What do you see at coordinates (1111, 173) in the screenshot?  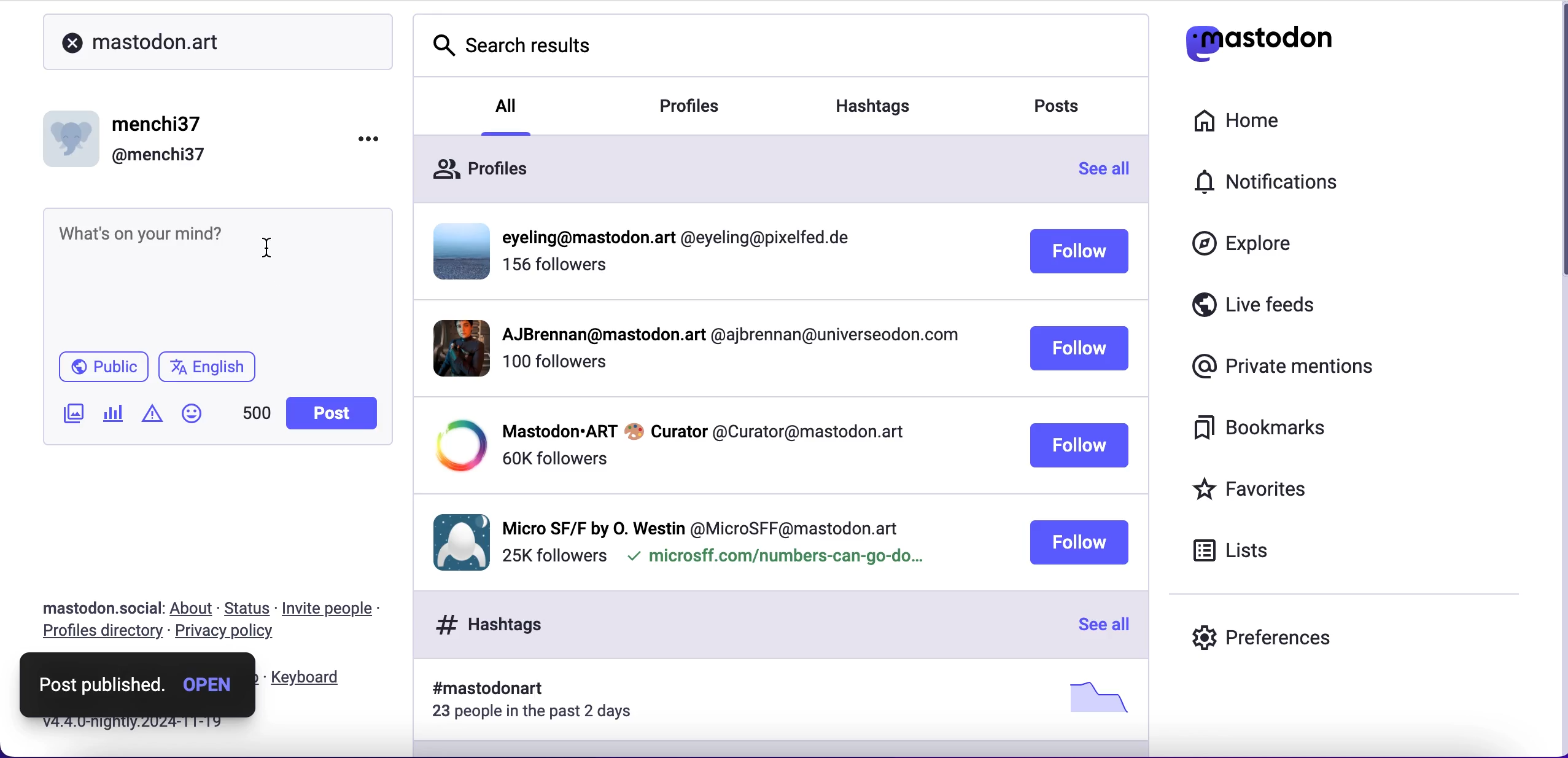 I see `see all` at bounding box center [1111, 173].